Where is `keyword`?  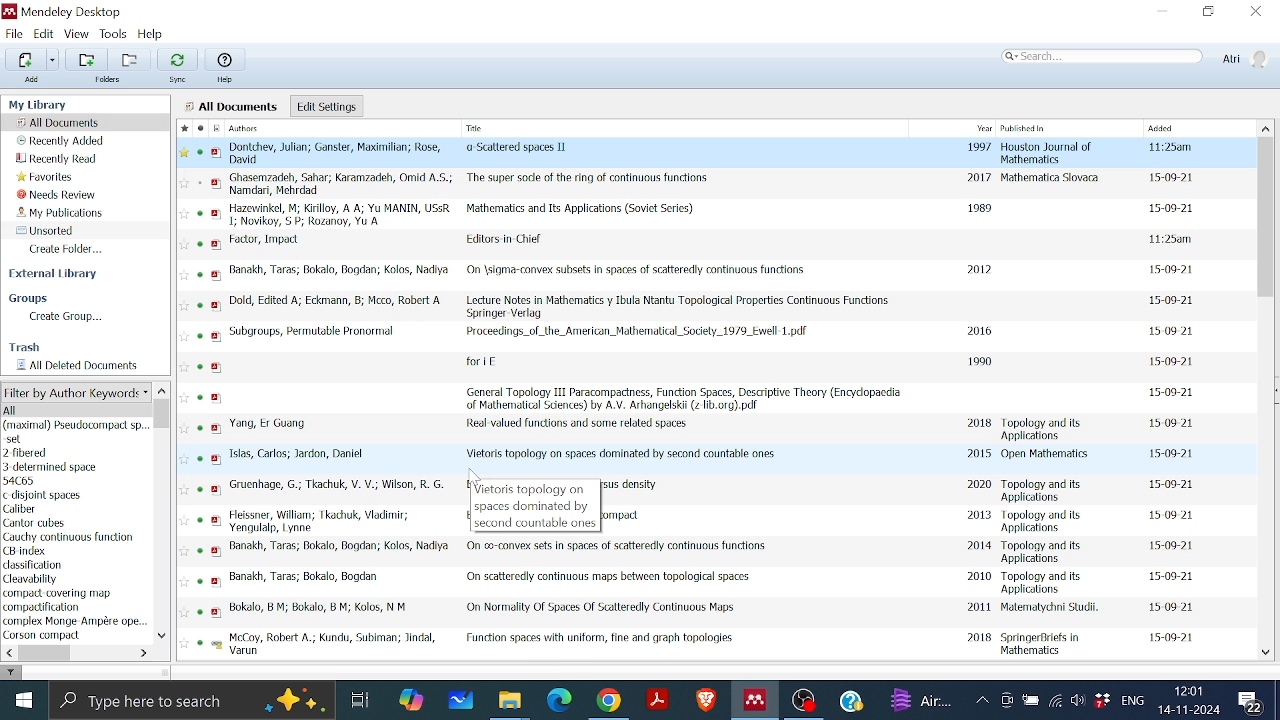 keyword is located at coordinates (61, 593).